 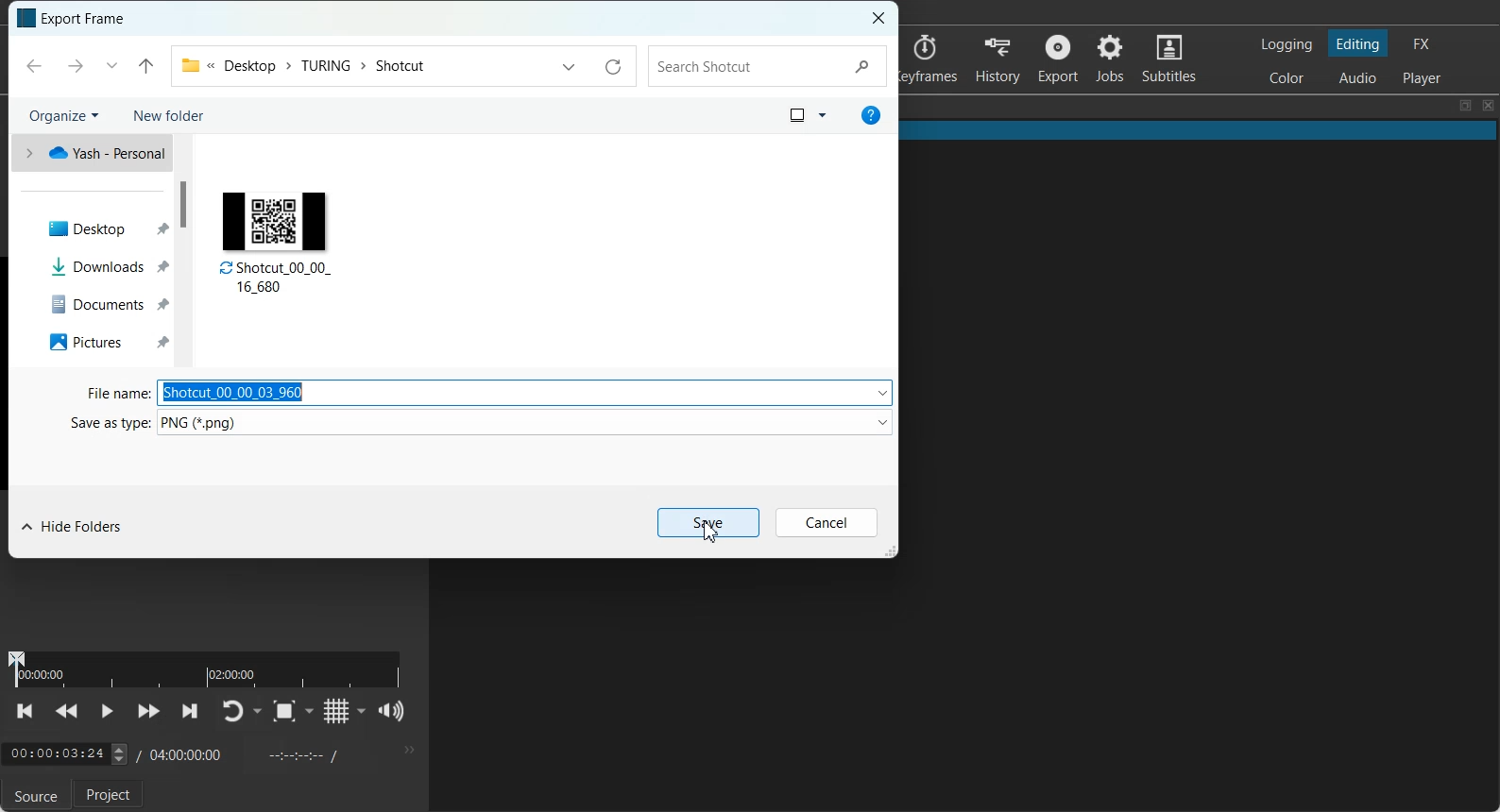 I want to click on Toggle Zoom, so click(x=283, y=711).